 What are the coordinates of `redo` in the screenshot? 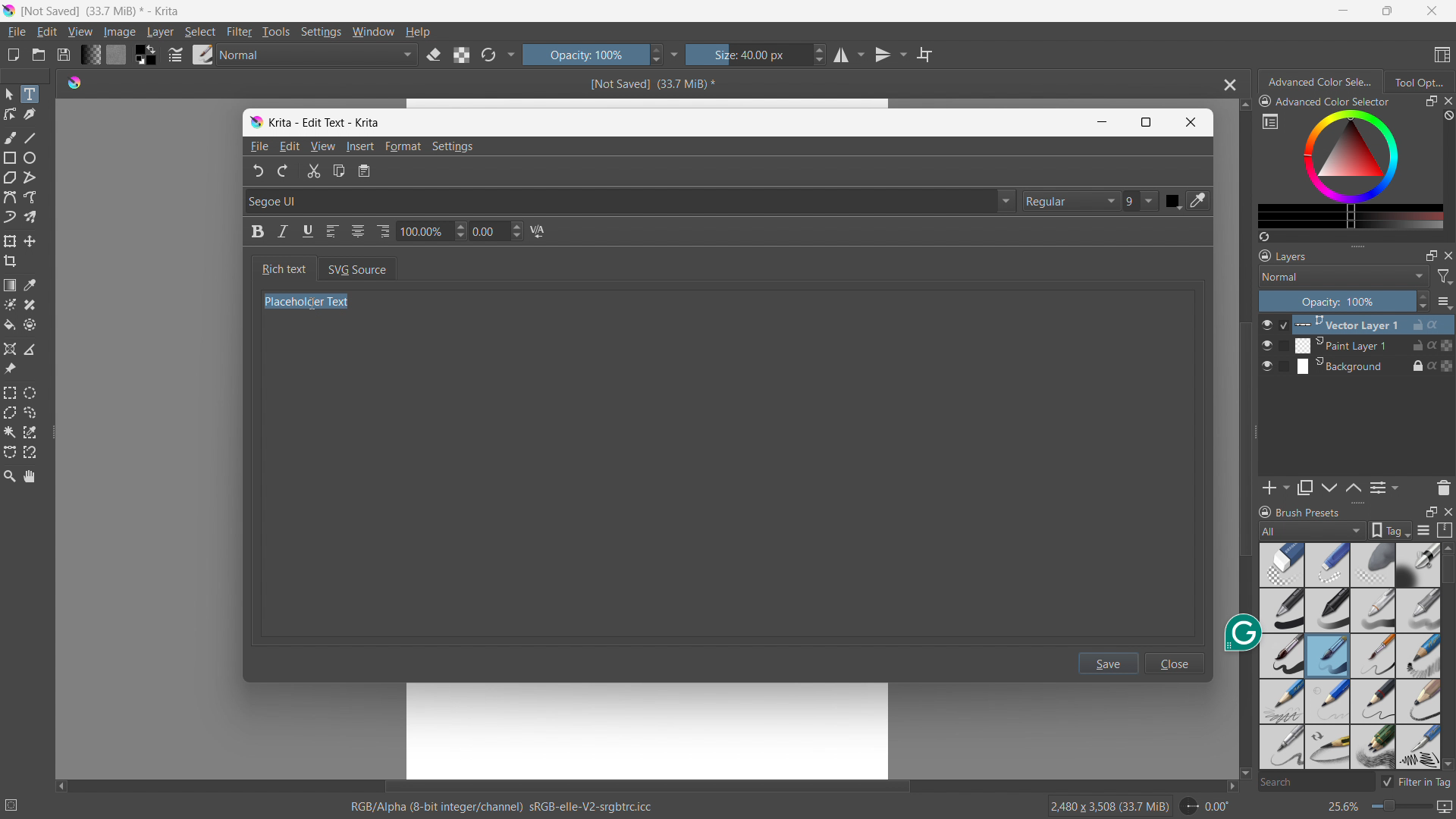 It's located at (284, 172).